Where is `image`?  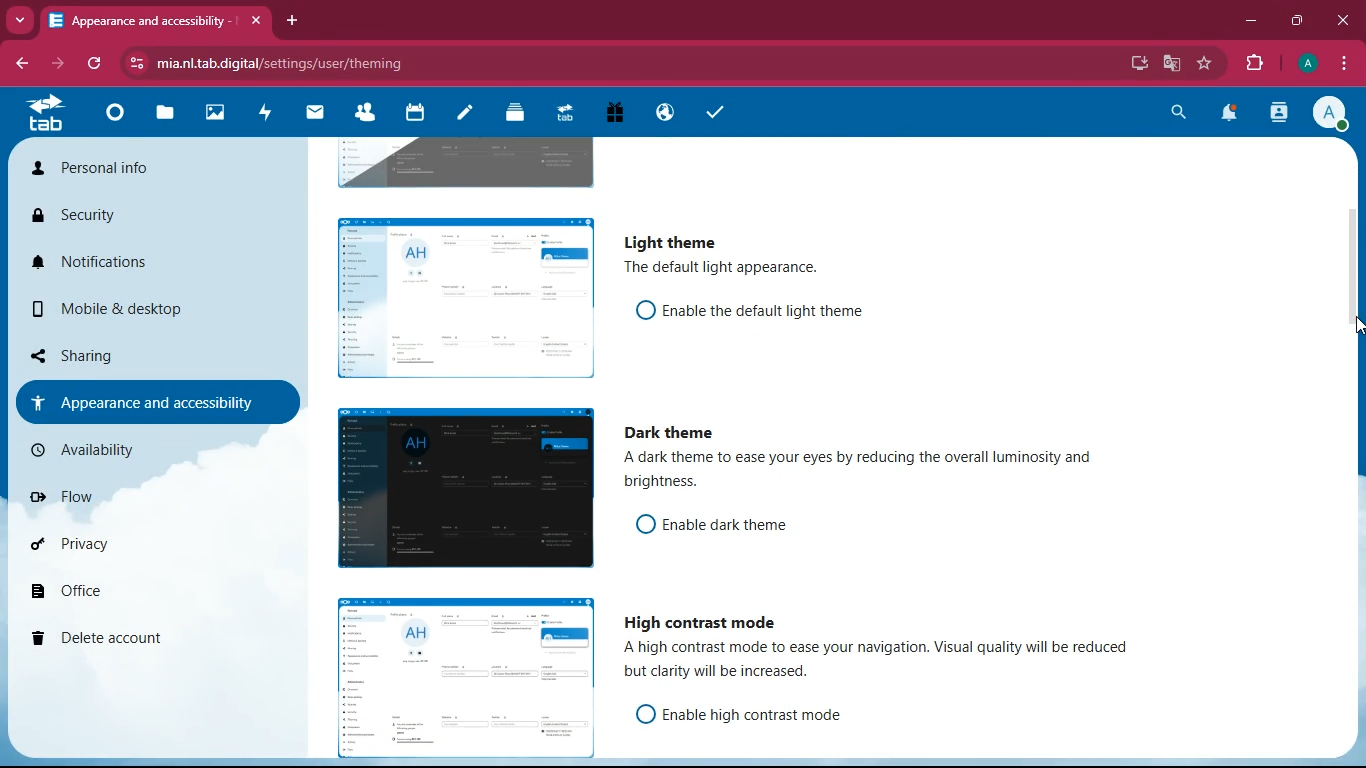 image is located at coordinates (464, 161).